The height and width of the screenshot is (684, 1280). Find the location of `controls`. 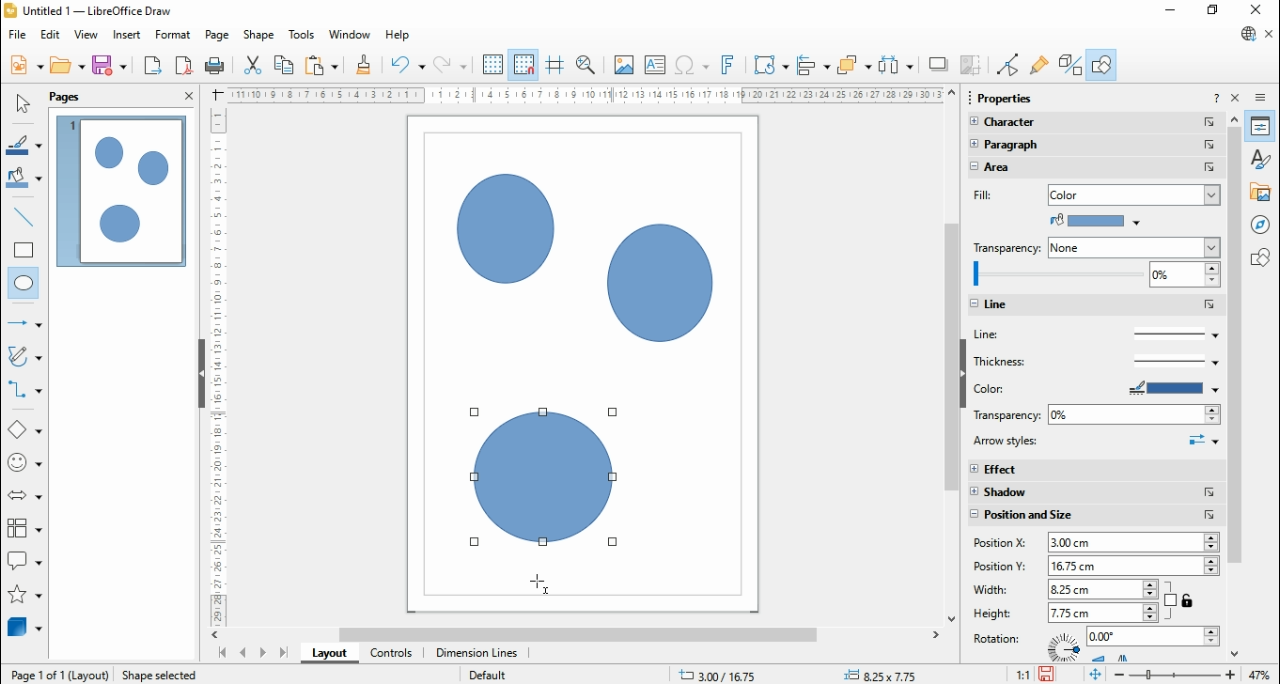

controls is located at coordinates (390, 654).